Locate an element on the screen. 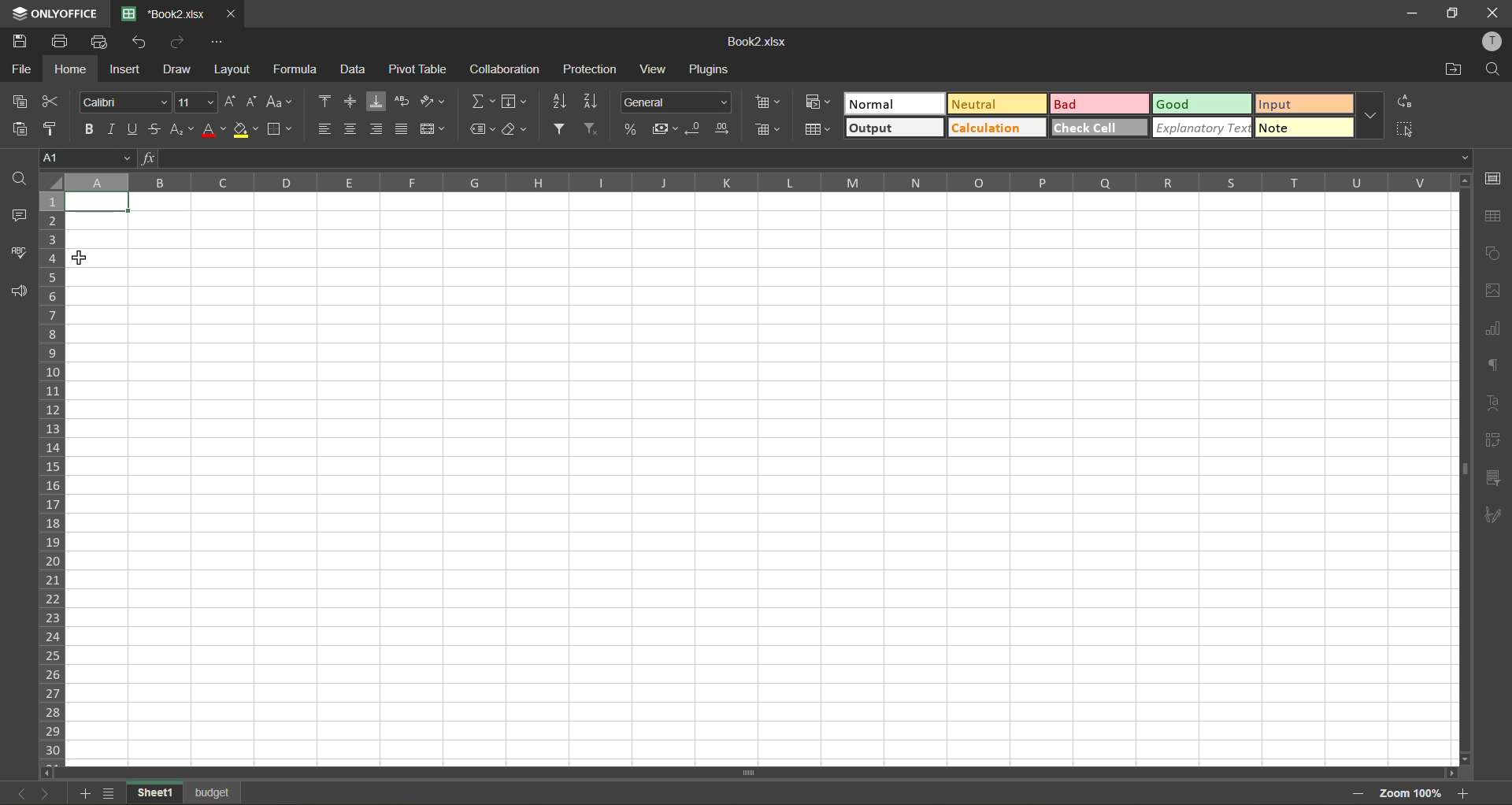  delete cells is located at coordinates (766, 130).